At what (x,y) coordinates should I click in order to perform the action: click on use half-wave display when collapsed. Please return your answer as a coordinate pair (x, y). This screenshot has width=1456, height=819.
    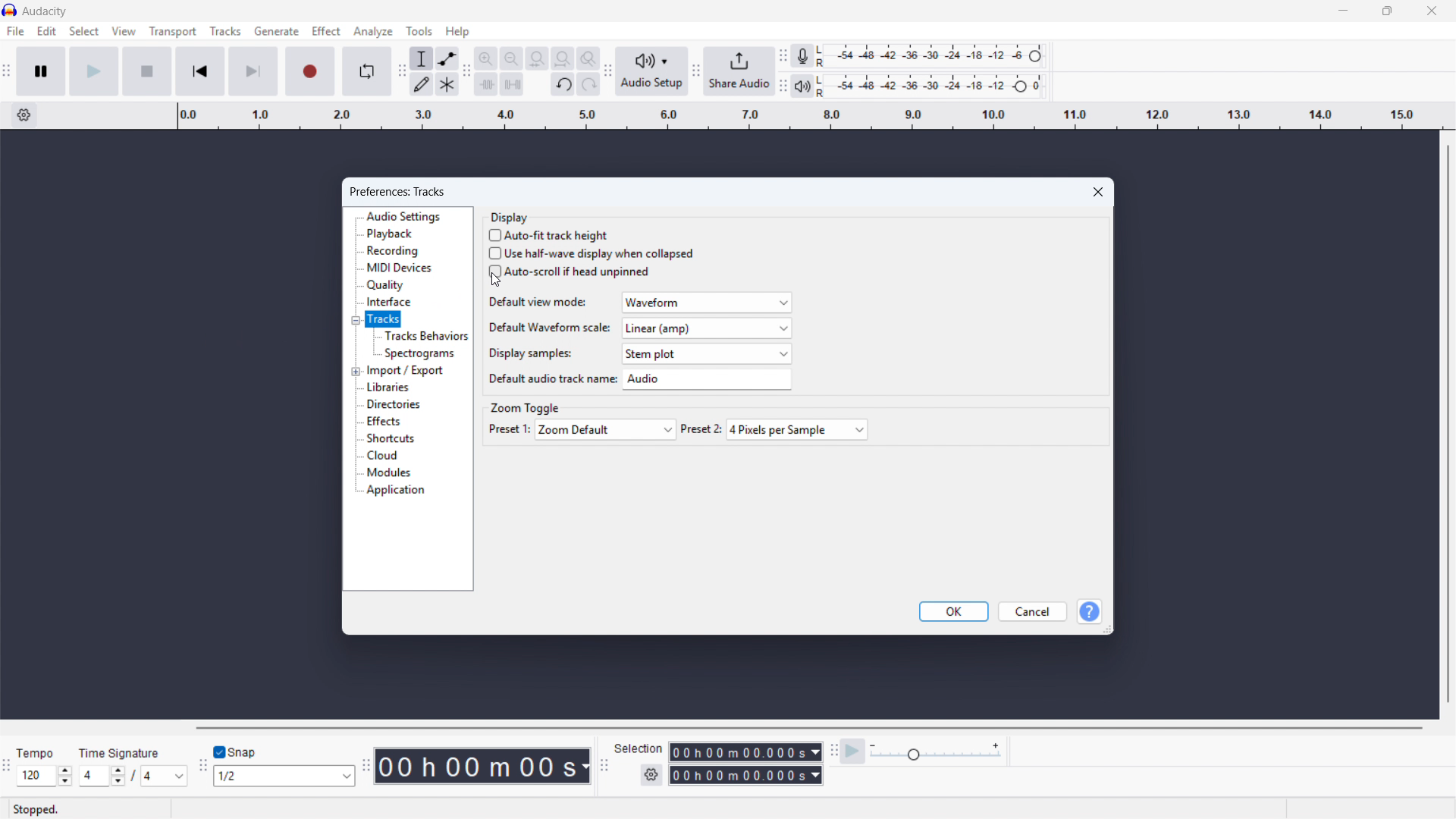
    Looking at the image, I should click on (591, 253).